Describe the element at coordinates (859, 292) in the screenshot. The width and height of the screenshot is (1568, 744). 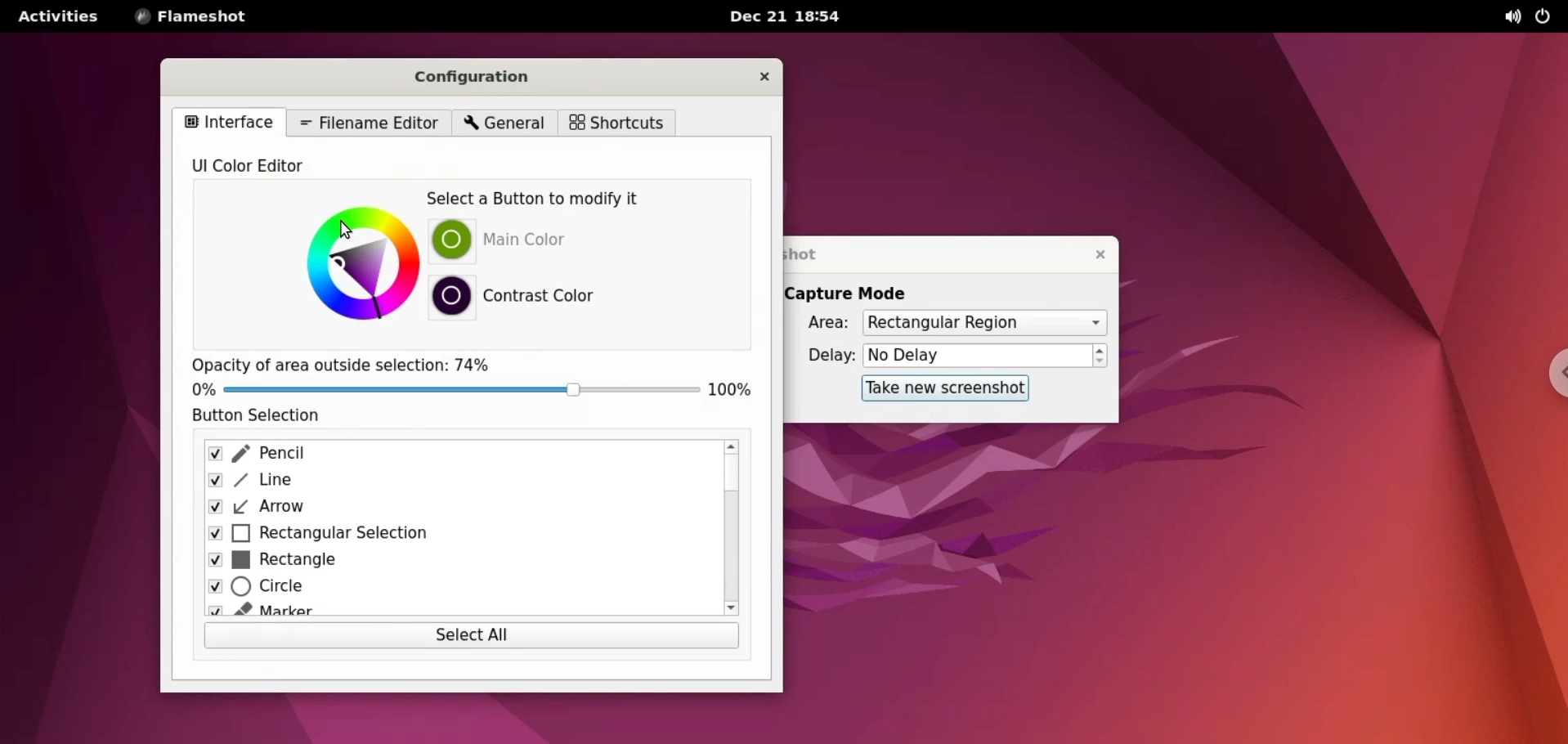
I see `capture mode` at that location.